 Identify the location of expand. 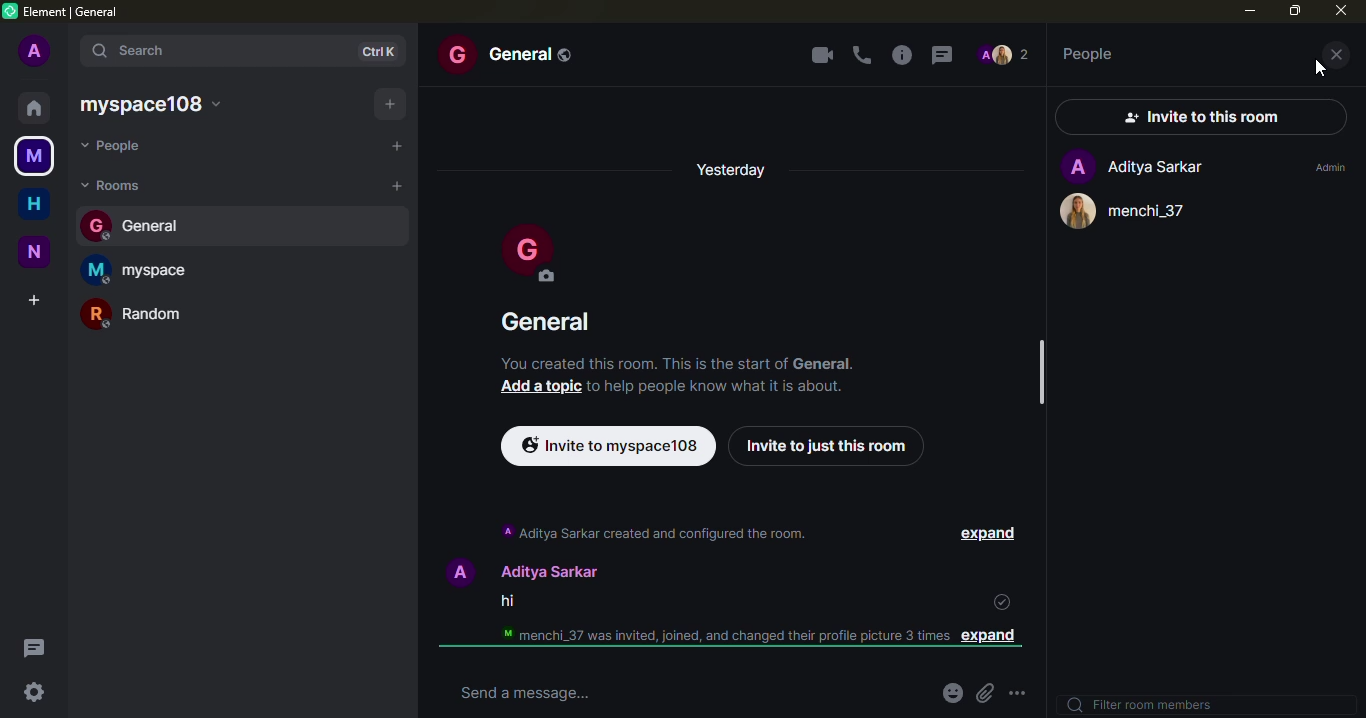
(998, 639).